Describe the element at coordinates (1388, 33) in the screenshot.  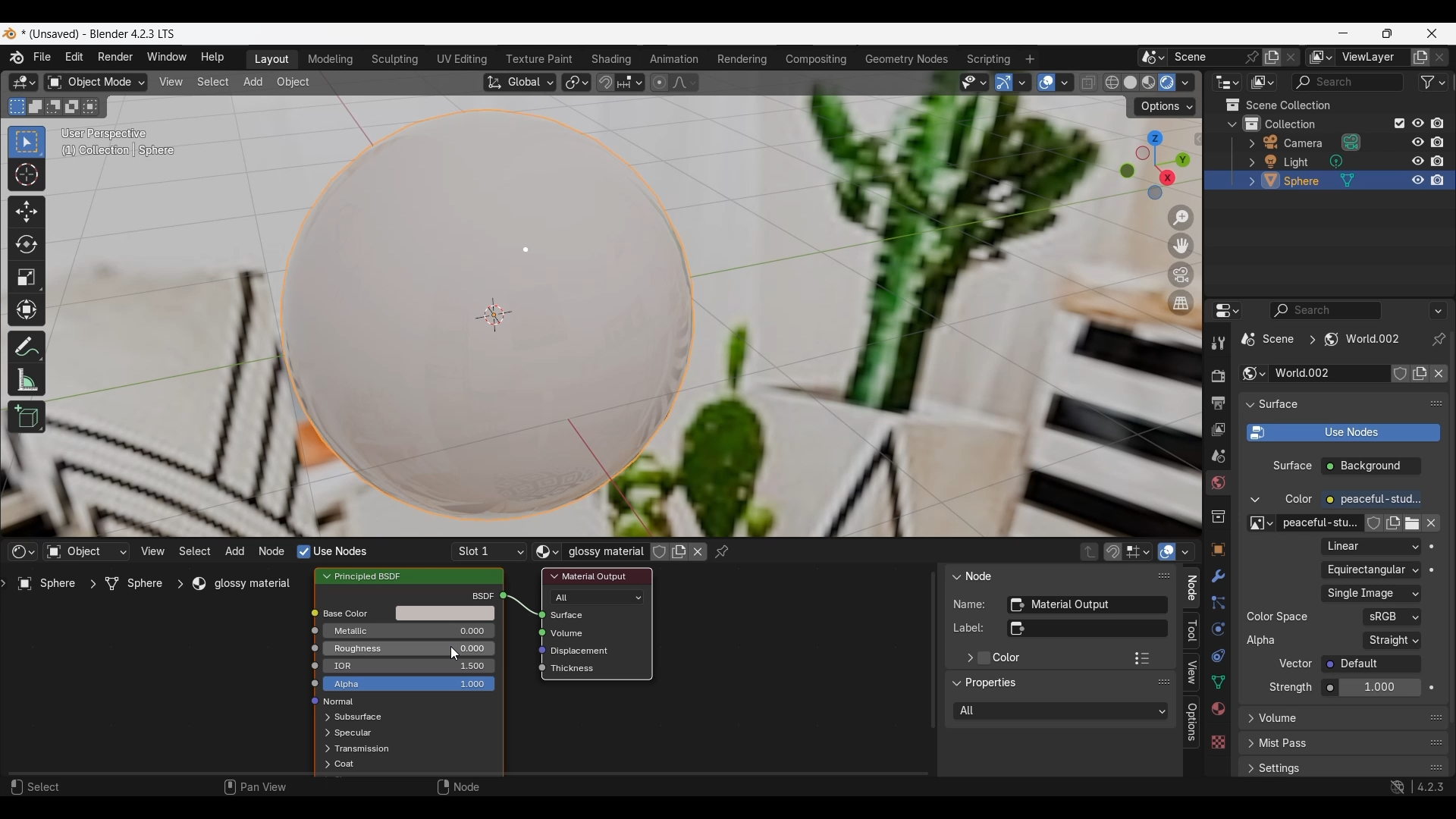
I see `Show interface in a smaller tab` at that location.